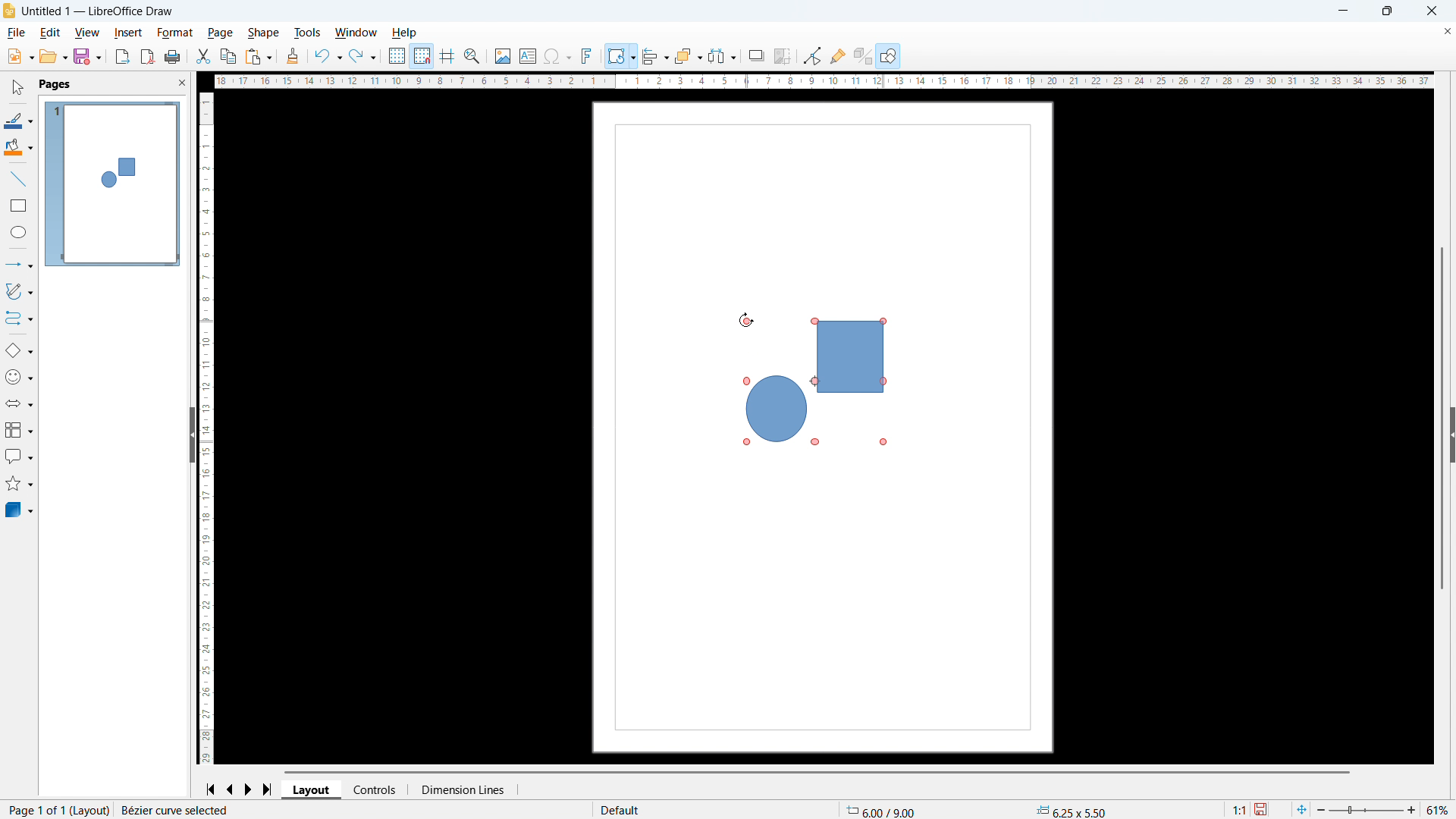  Describe the element at coordinates (231, 790) in the screenshot. I see `Previous page ` at that location.